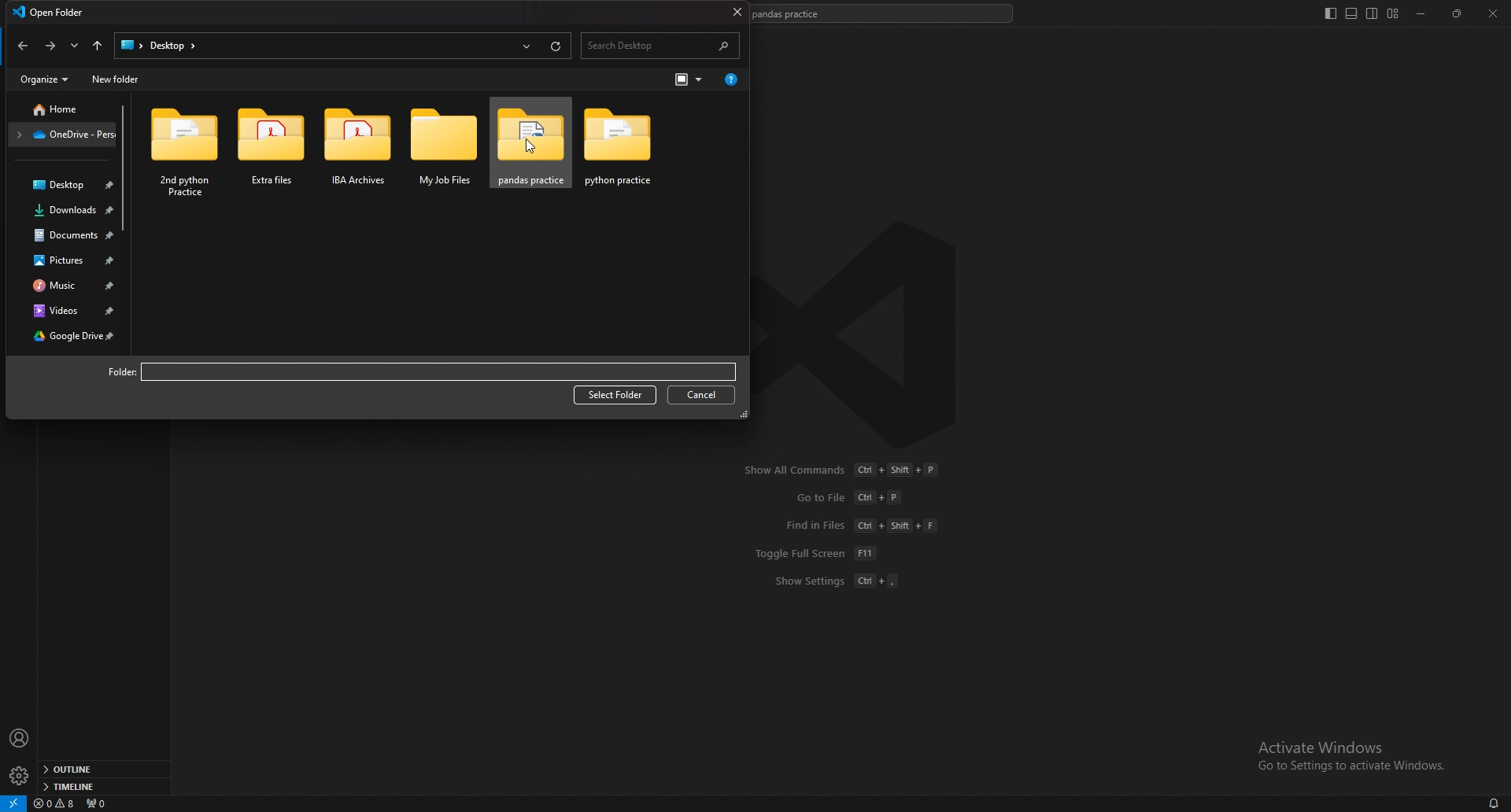  I want to click on reload, so click(556, 45).